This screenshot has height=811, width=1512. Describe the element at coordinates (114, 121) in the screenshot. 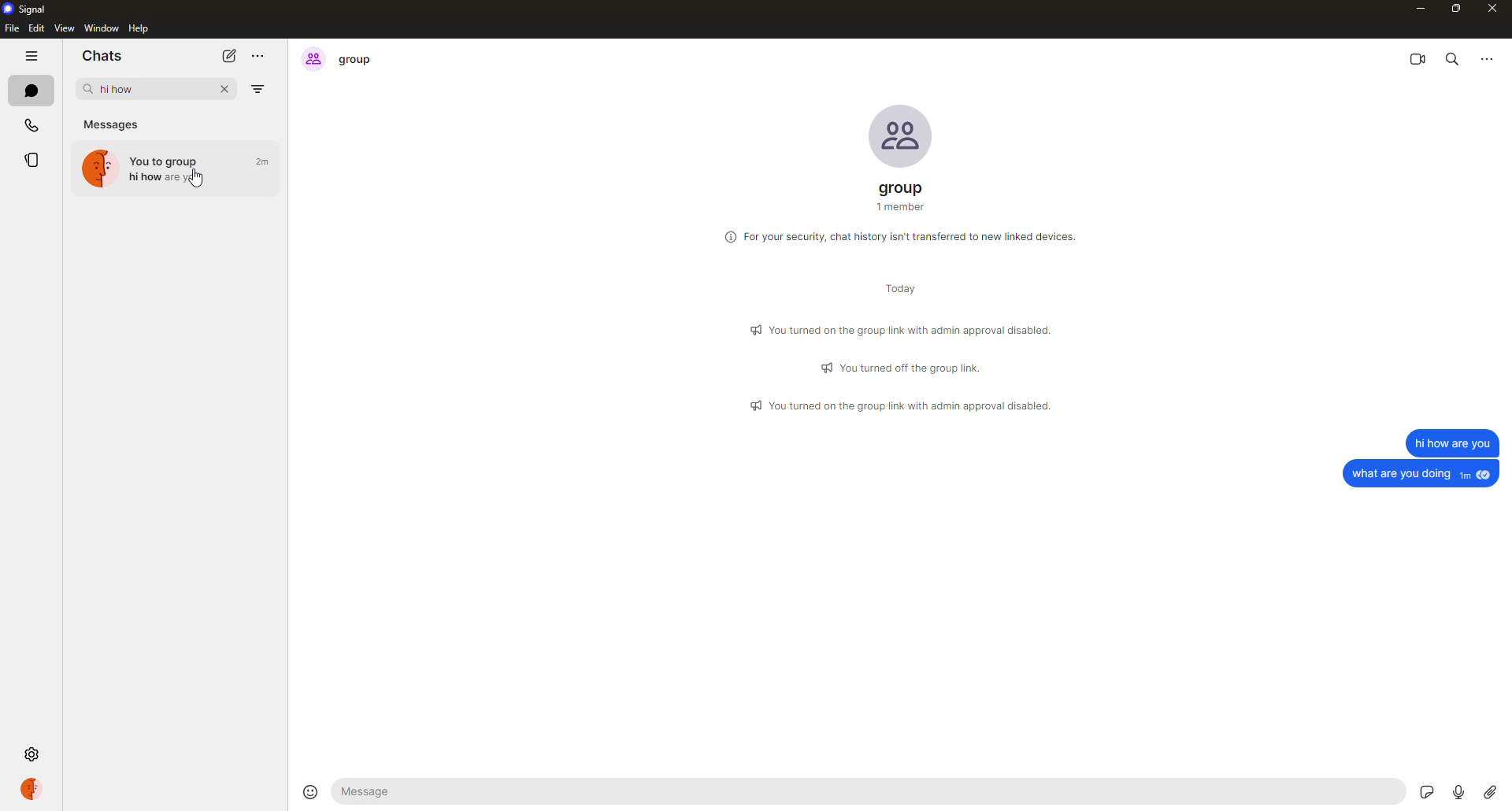

I see `messages` at that location.